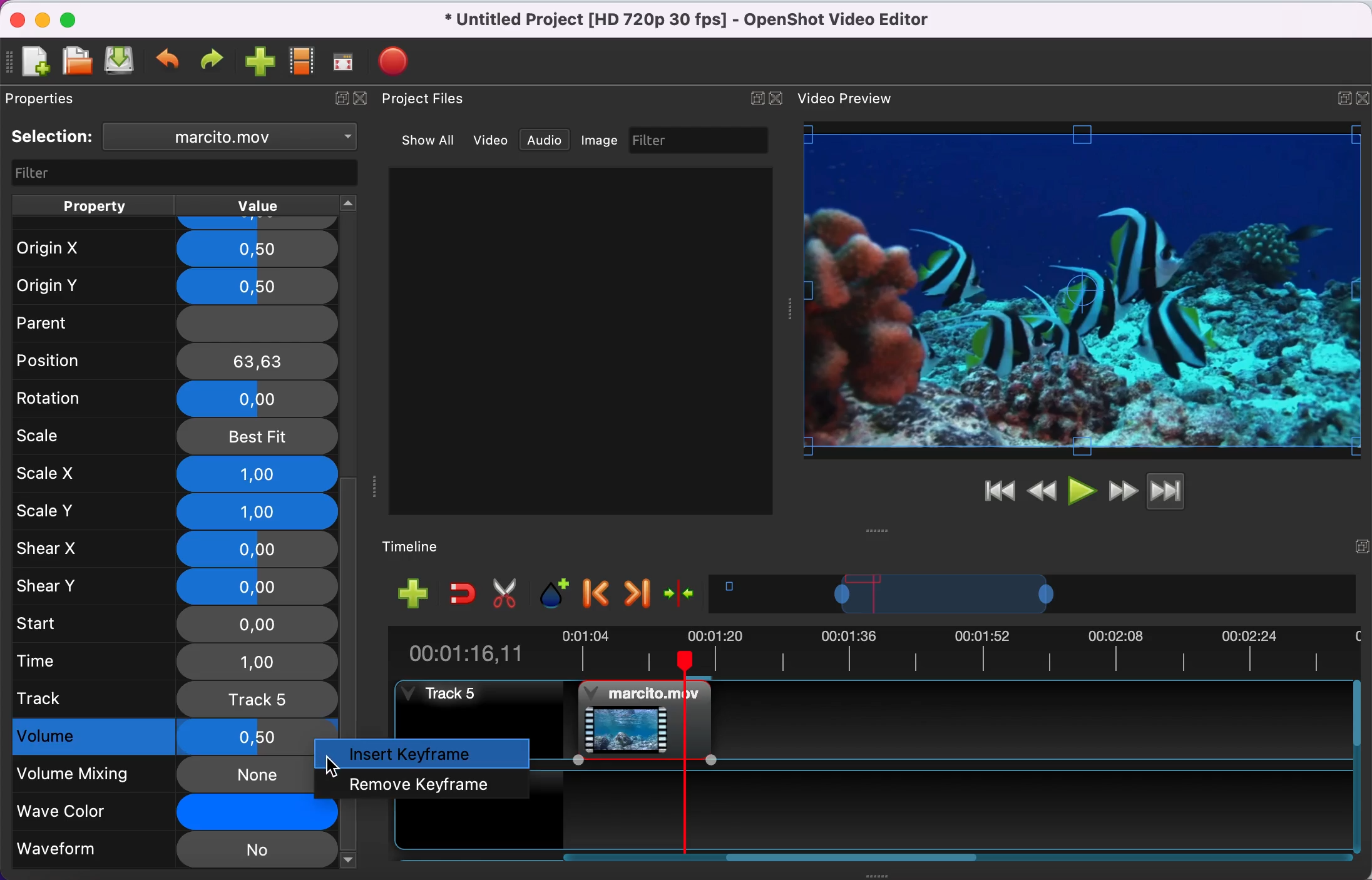  Describe the element at coordinates (549, 141) in the screenshot. I see `audio` at that location.